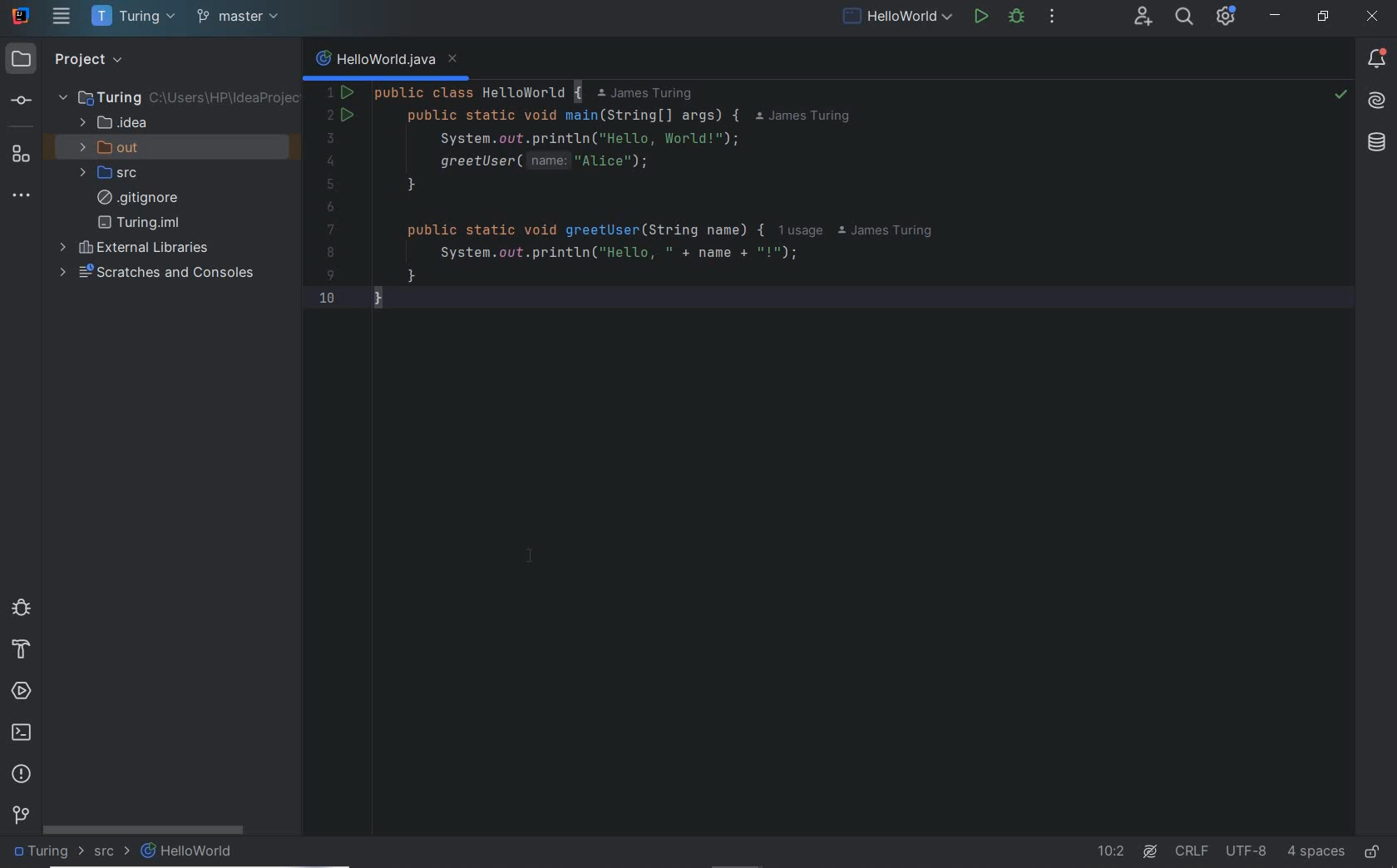 This screenshot has height=868, width=1397. Describe the element at coordinates (1340, 96) in the screenshot. I see `no problems` at that location.